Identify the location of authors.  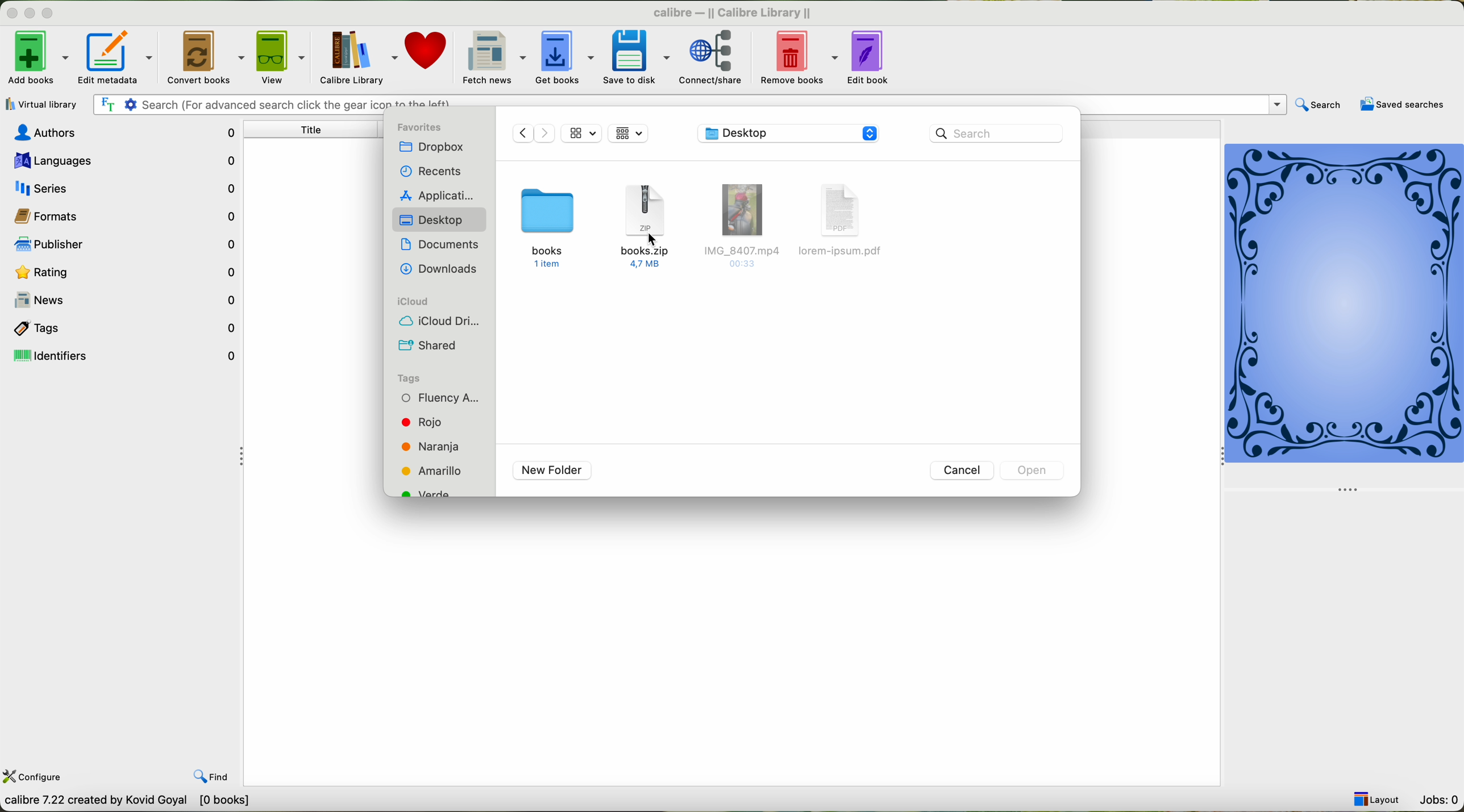
(123, 133).